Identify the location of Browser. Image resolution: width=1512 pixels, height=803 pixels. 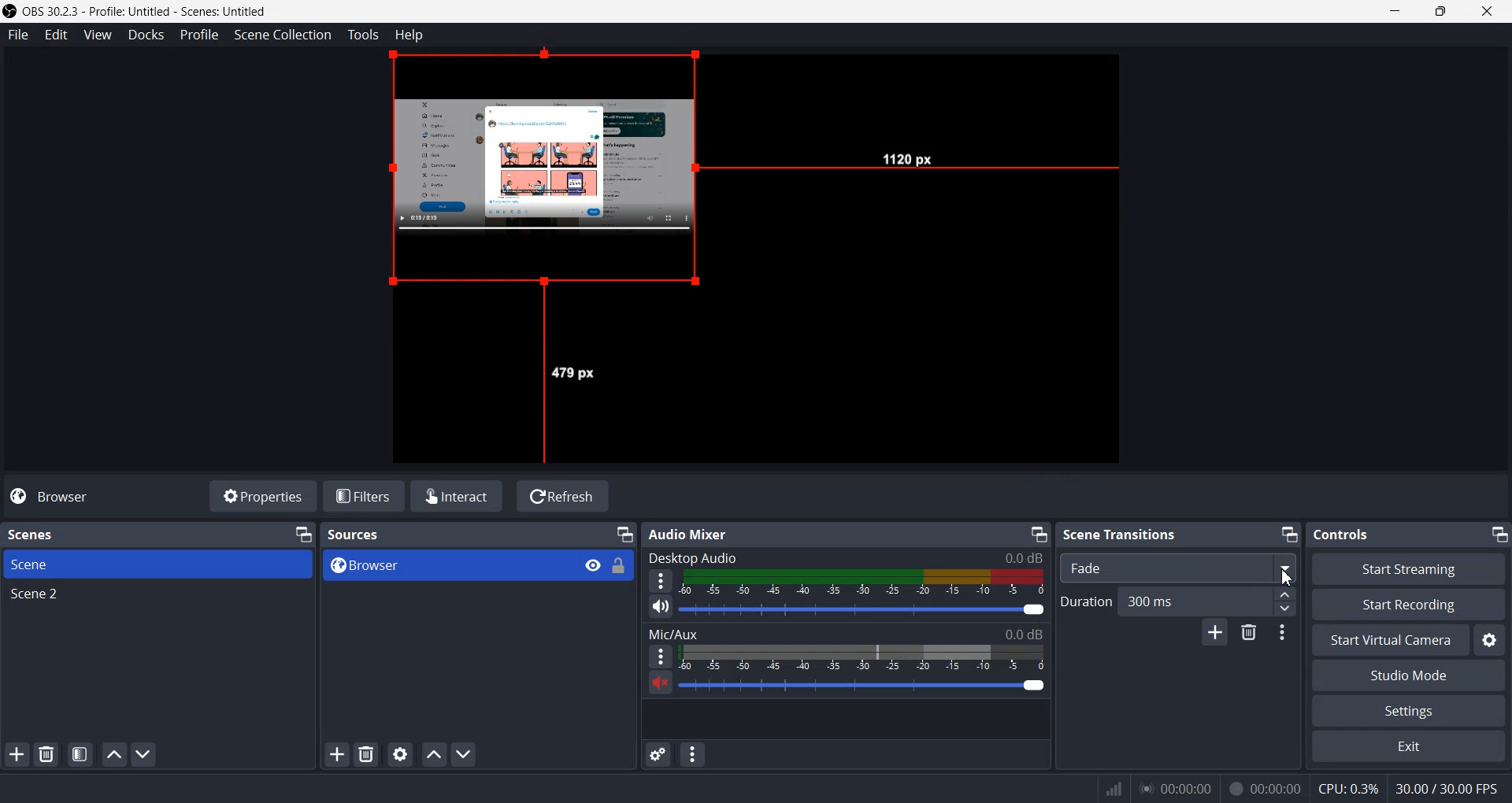
(448, 566).